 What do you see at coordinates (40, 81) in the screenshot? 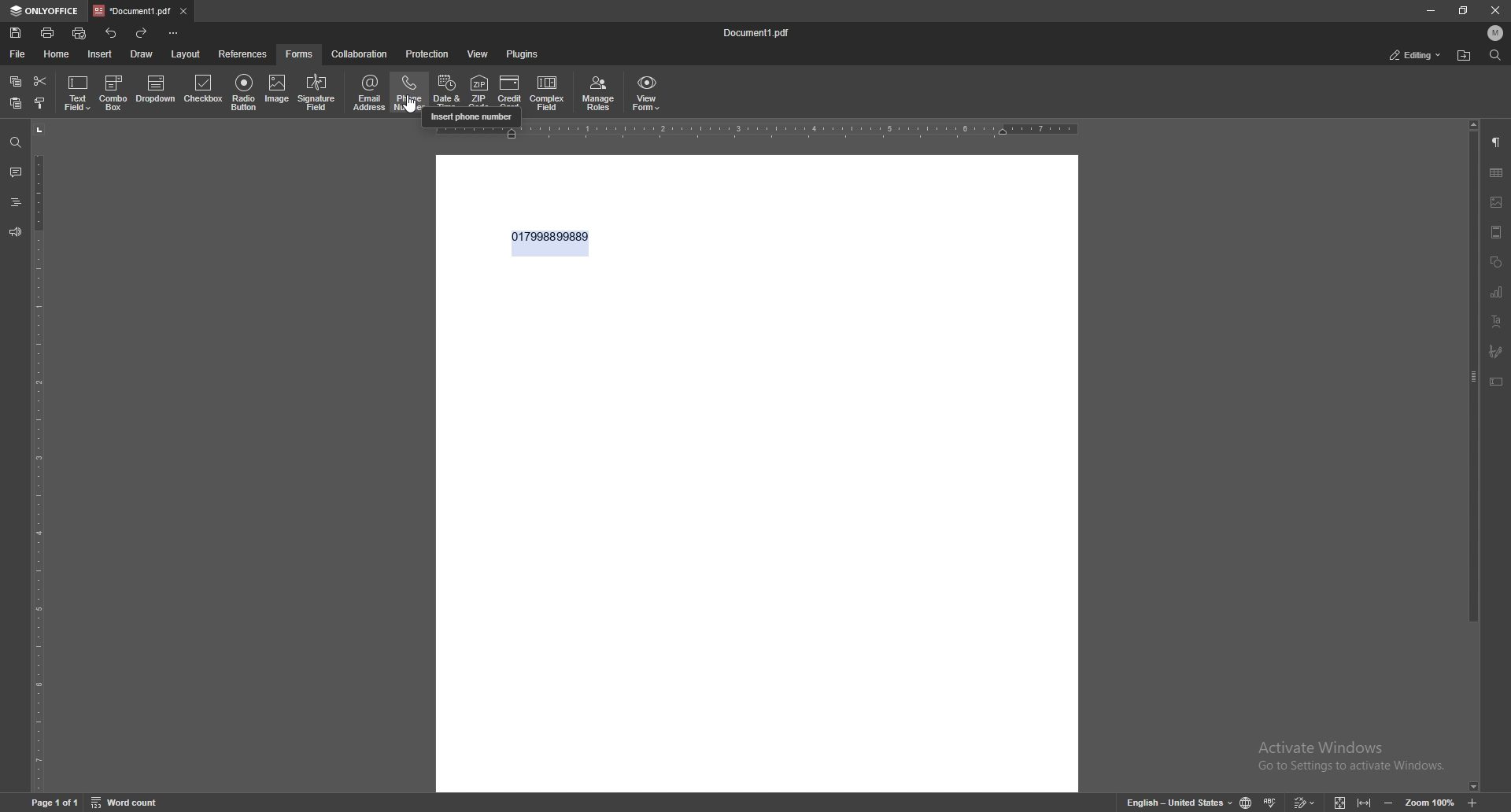
I see `cut` at bounding box center [40, 81].